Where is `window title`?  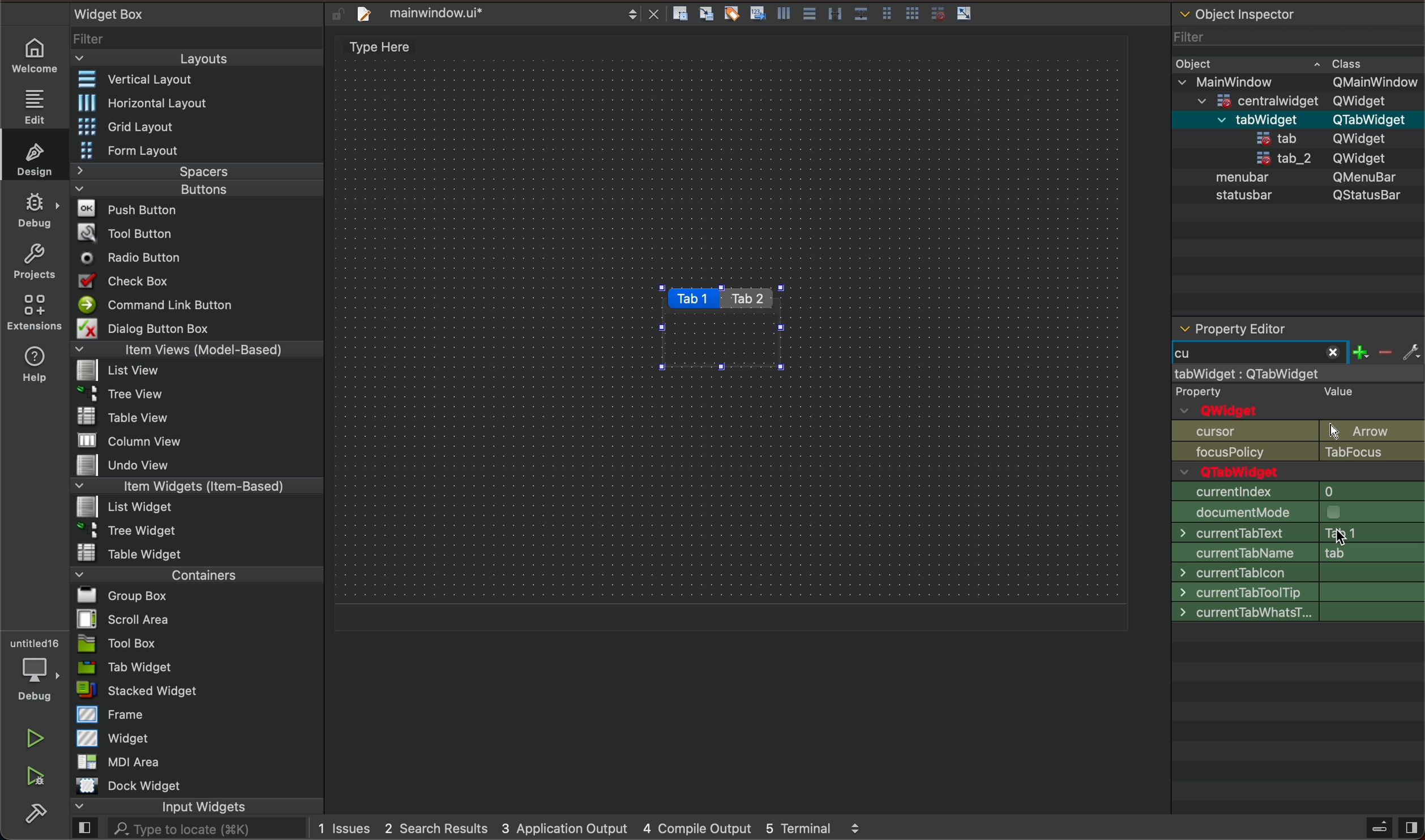
window title is located at coordinates (1299, 777).